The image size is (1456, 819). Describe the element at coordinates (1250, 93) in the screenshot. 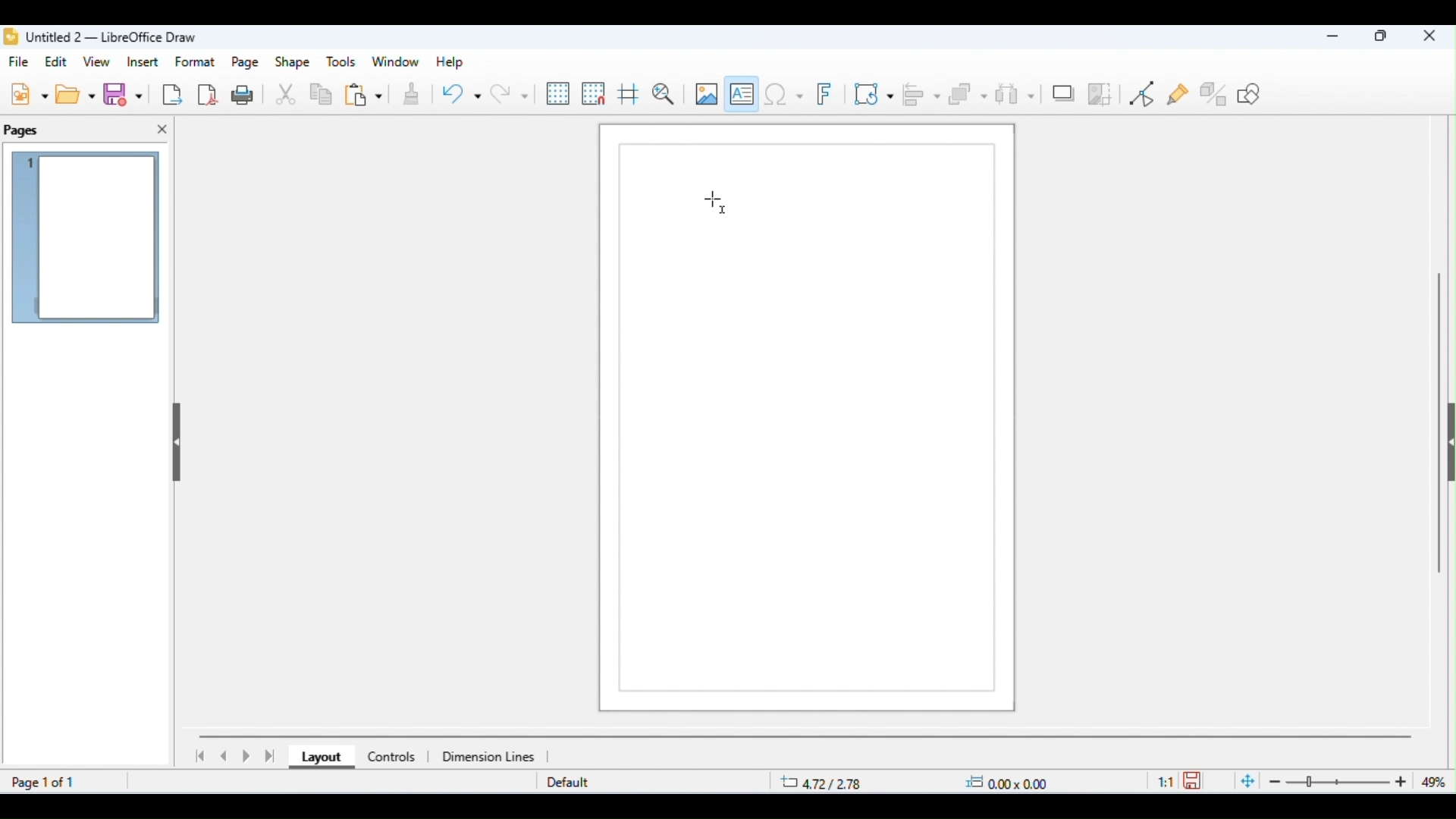

I see `how draw functions` at that location.